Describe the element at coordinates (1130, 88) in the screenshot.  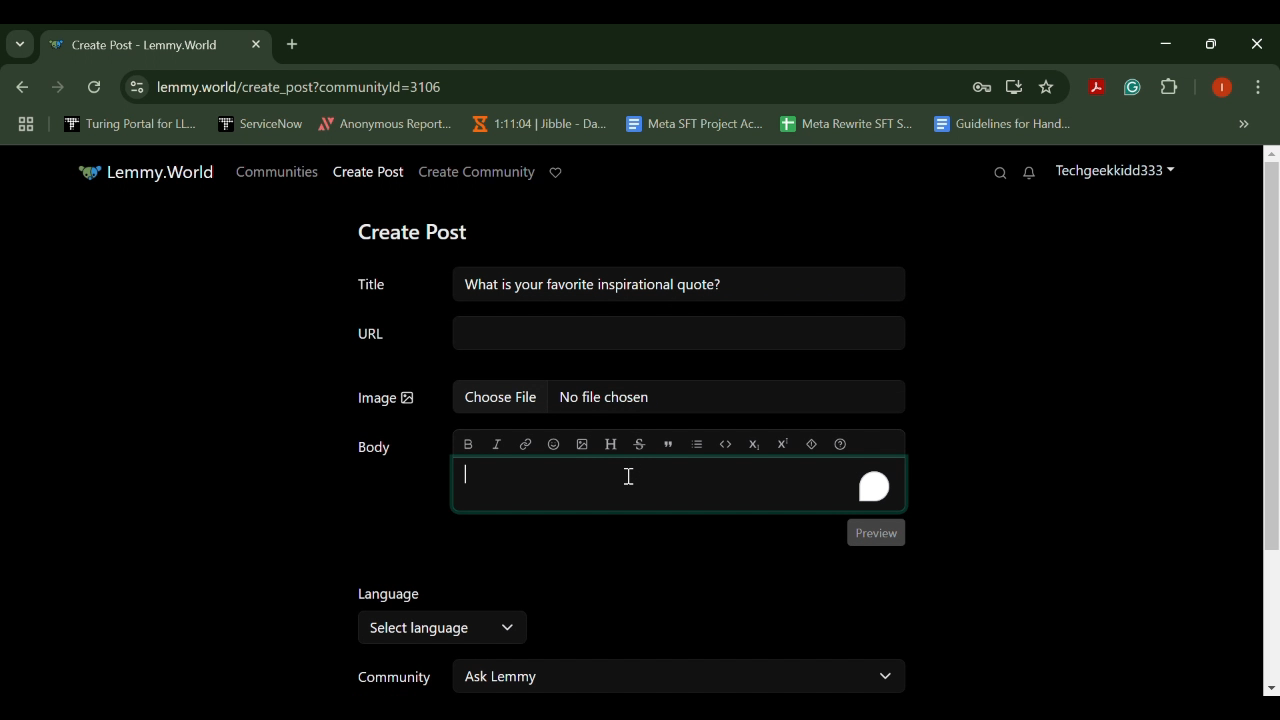
I see `Grammarly Extension` at that location.